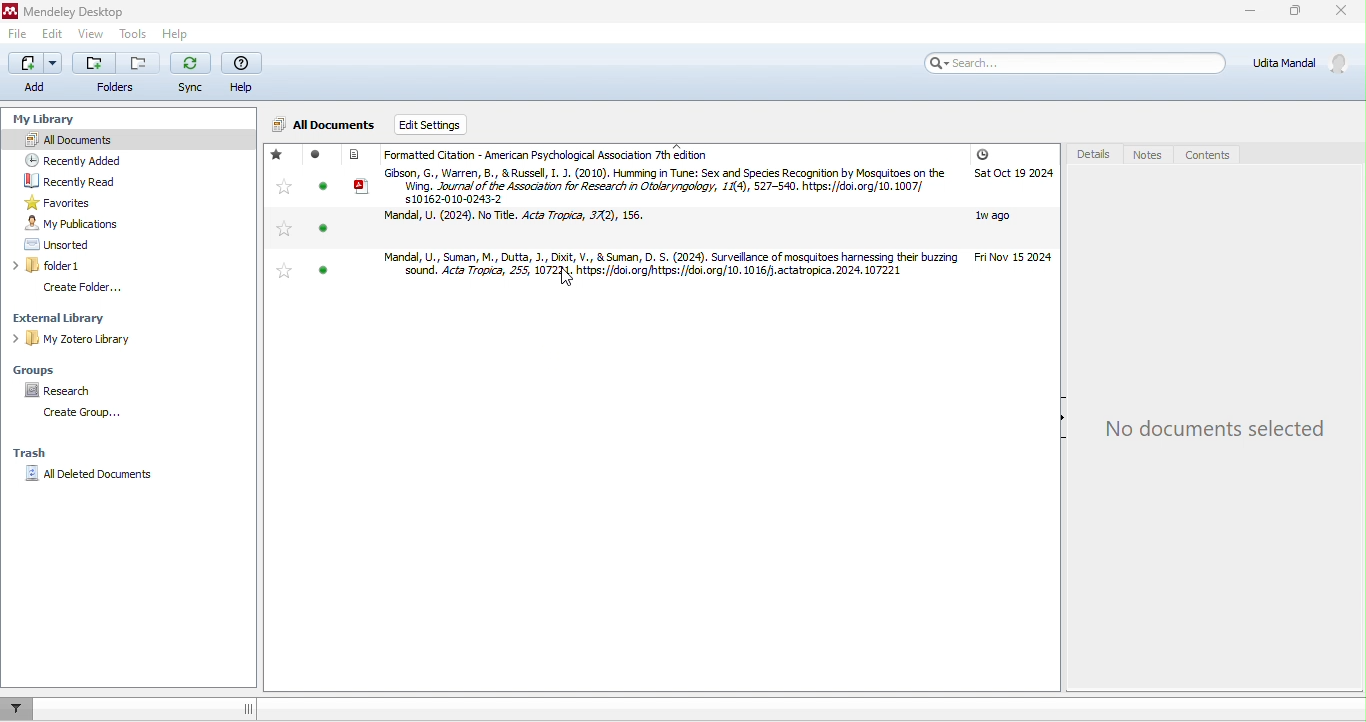 The width and height of the screenshot is (1366, 722). I want to click on create folder, so click(99, 287).